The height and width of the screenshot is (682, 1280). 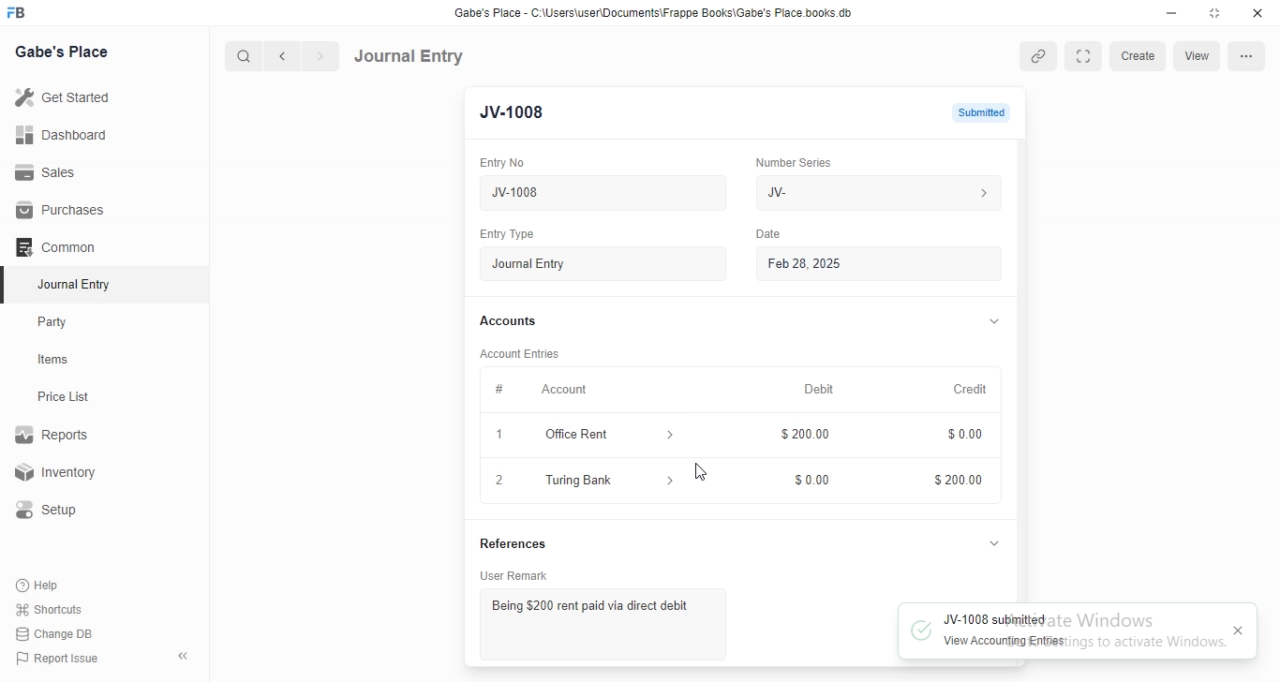 I want to click on ‘Journal Entry, so click(x=77, y=284).